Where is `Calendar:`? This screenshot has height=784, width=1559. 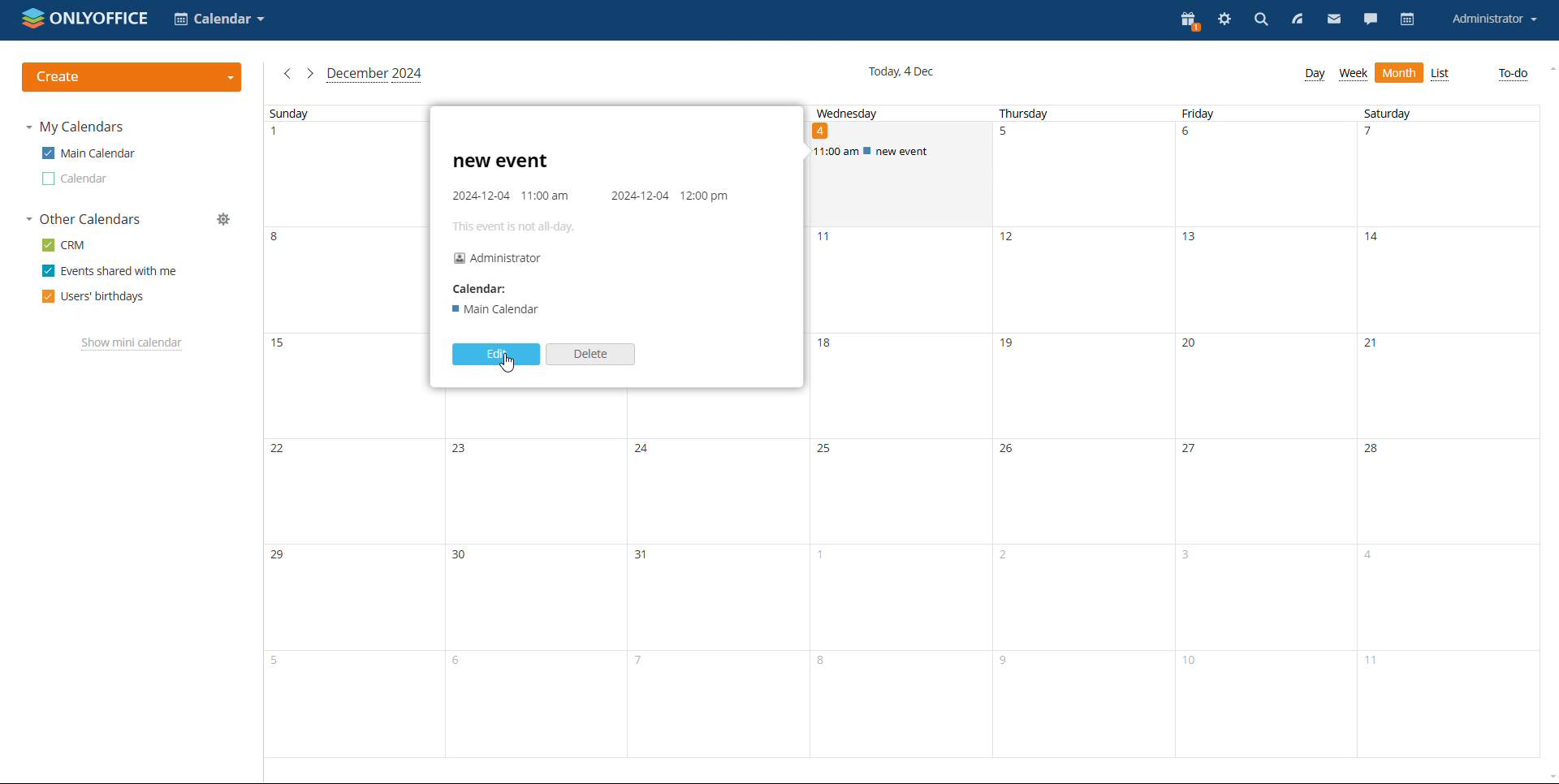
Calendar: is located at coordinates (484, 289).